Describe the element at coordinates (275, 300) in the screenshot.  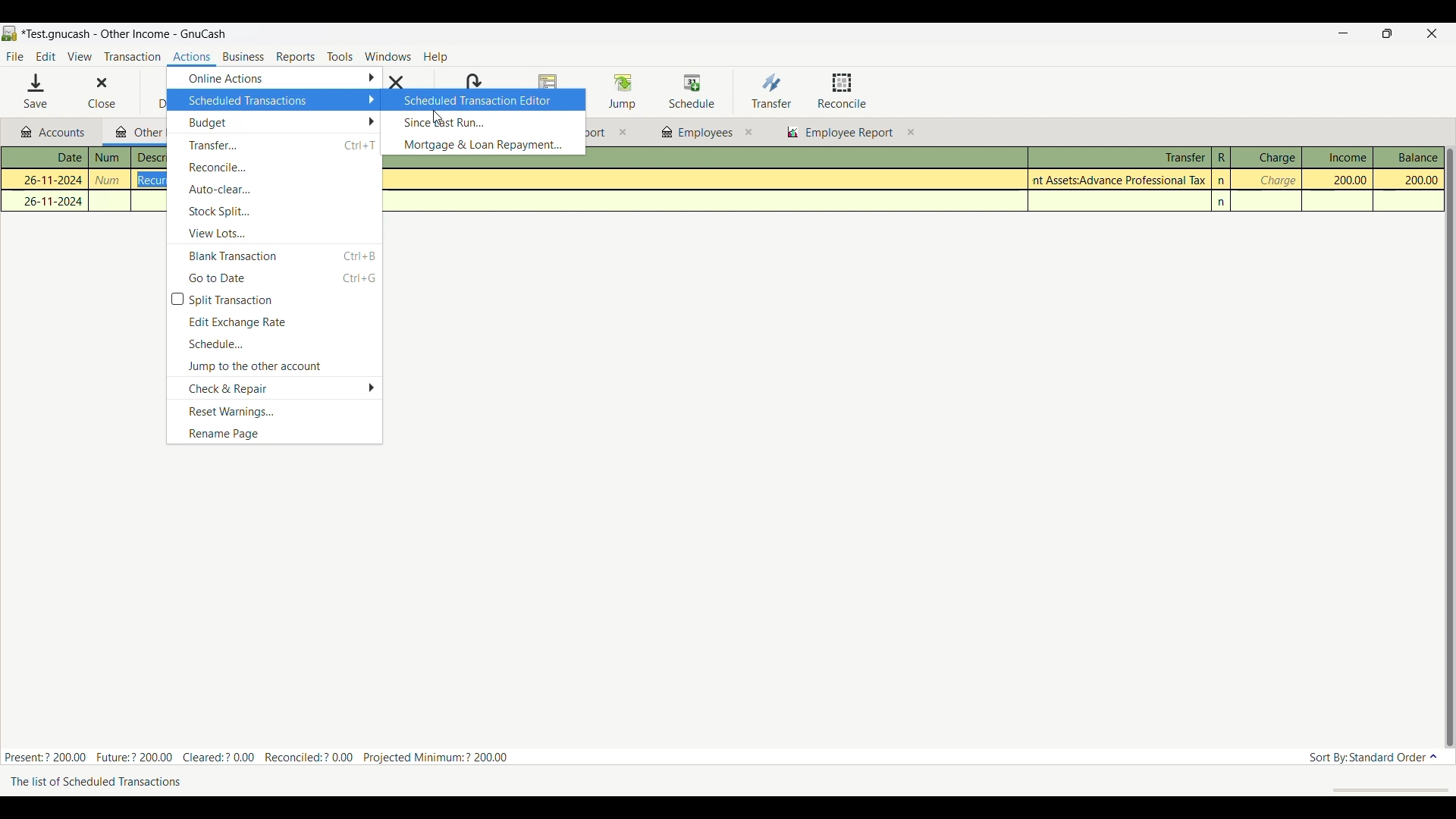
I see `Toggle for split transaction` at that location.